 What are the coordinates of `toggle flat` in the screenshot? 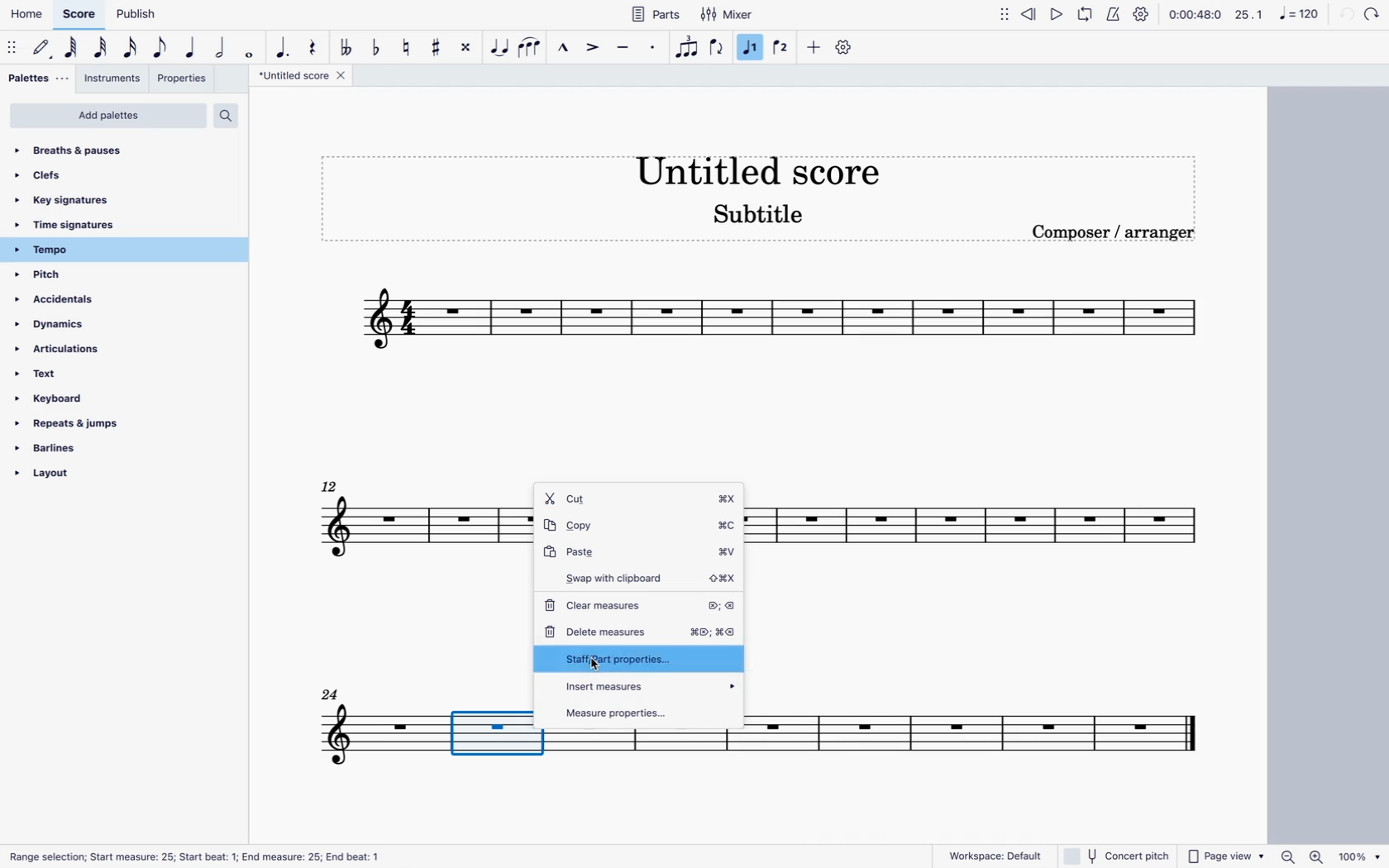 It's located at (346, 48).